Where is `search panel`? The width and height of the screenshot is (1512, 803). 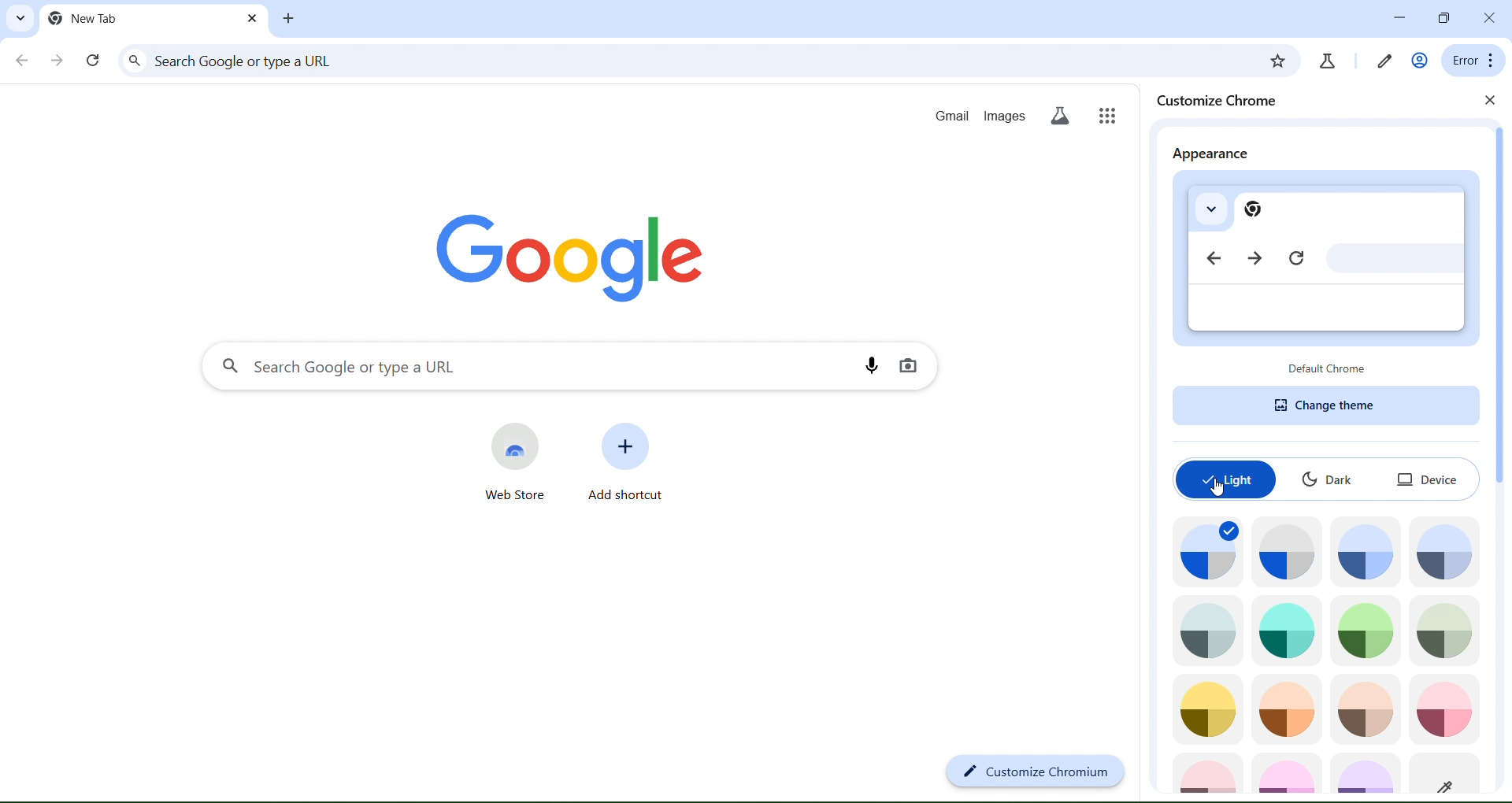 search panel is located at coordinates (538, 367).